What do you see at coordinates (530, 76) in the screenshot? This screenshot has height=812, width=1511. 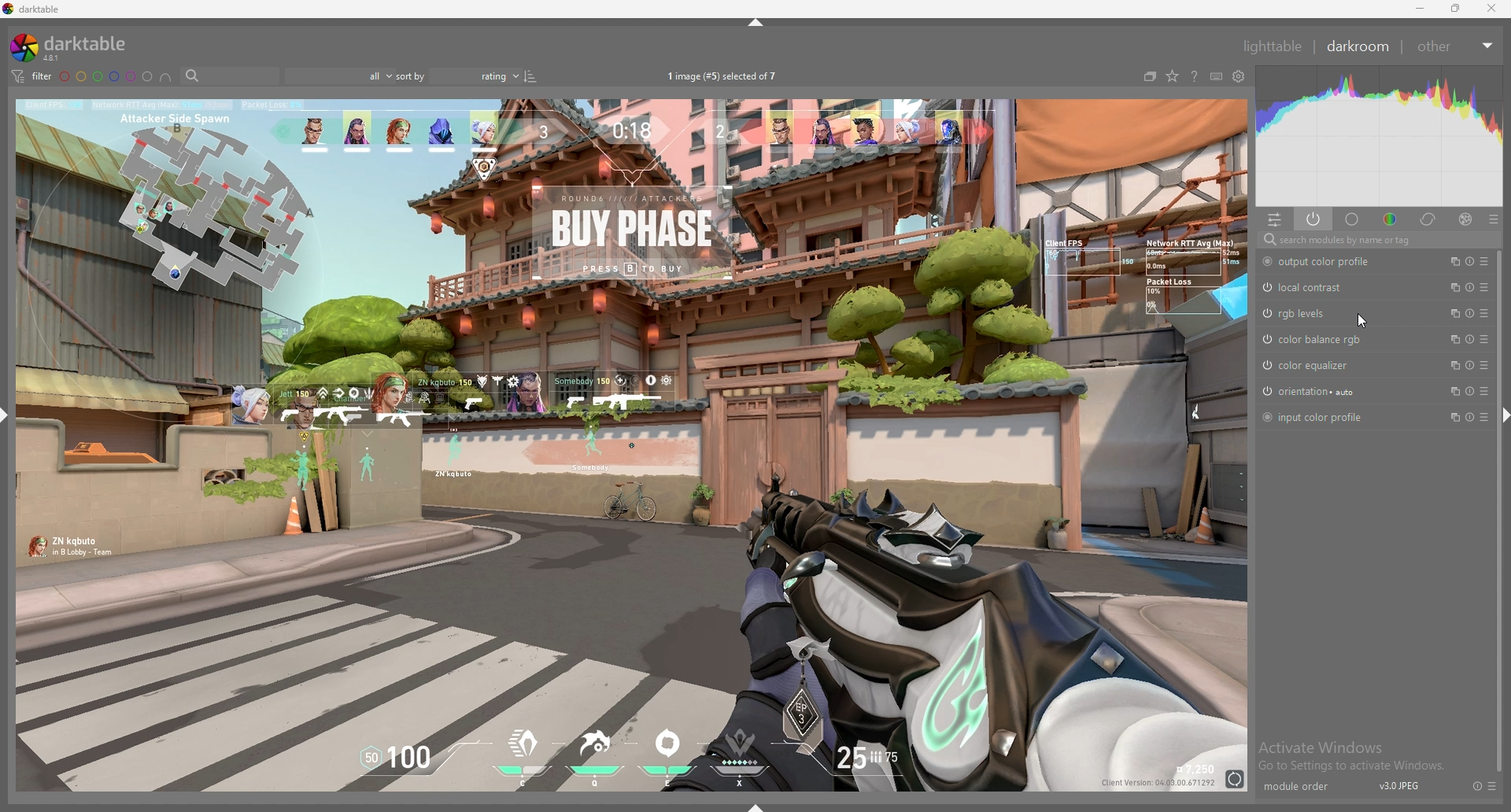 I see `reverse sort order` at bounding box center [530, 76].